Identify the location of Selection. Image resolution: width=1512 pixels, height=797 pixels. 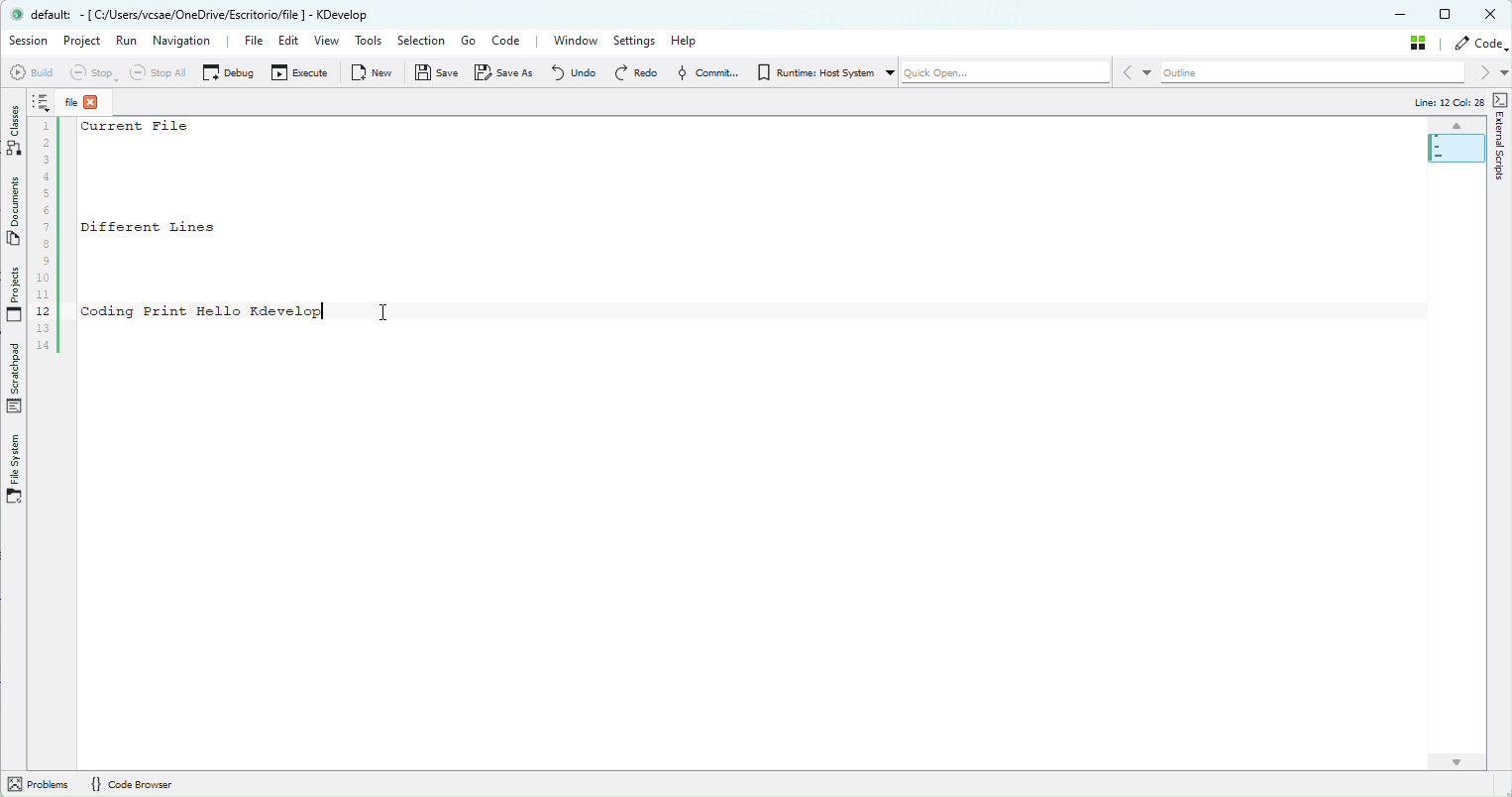
(423, 41).